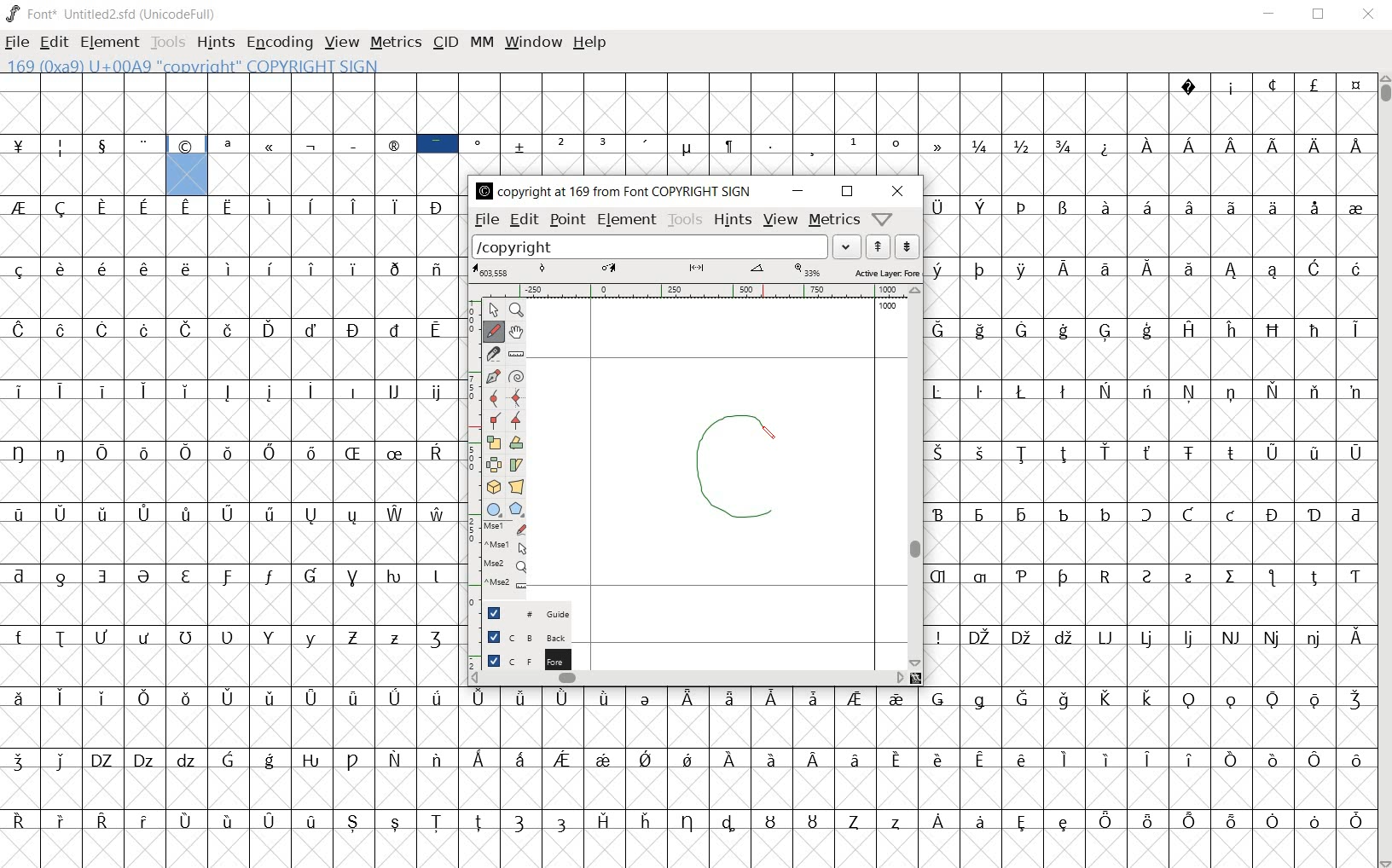 The image size is (1392, 868). Describe the element at coordinates (770, 433) in the screenshot. I see `pencil tool/CURSOR LOCATION` at that location.